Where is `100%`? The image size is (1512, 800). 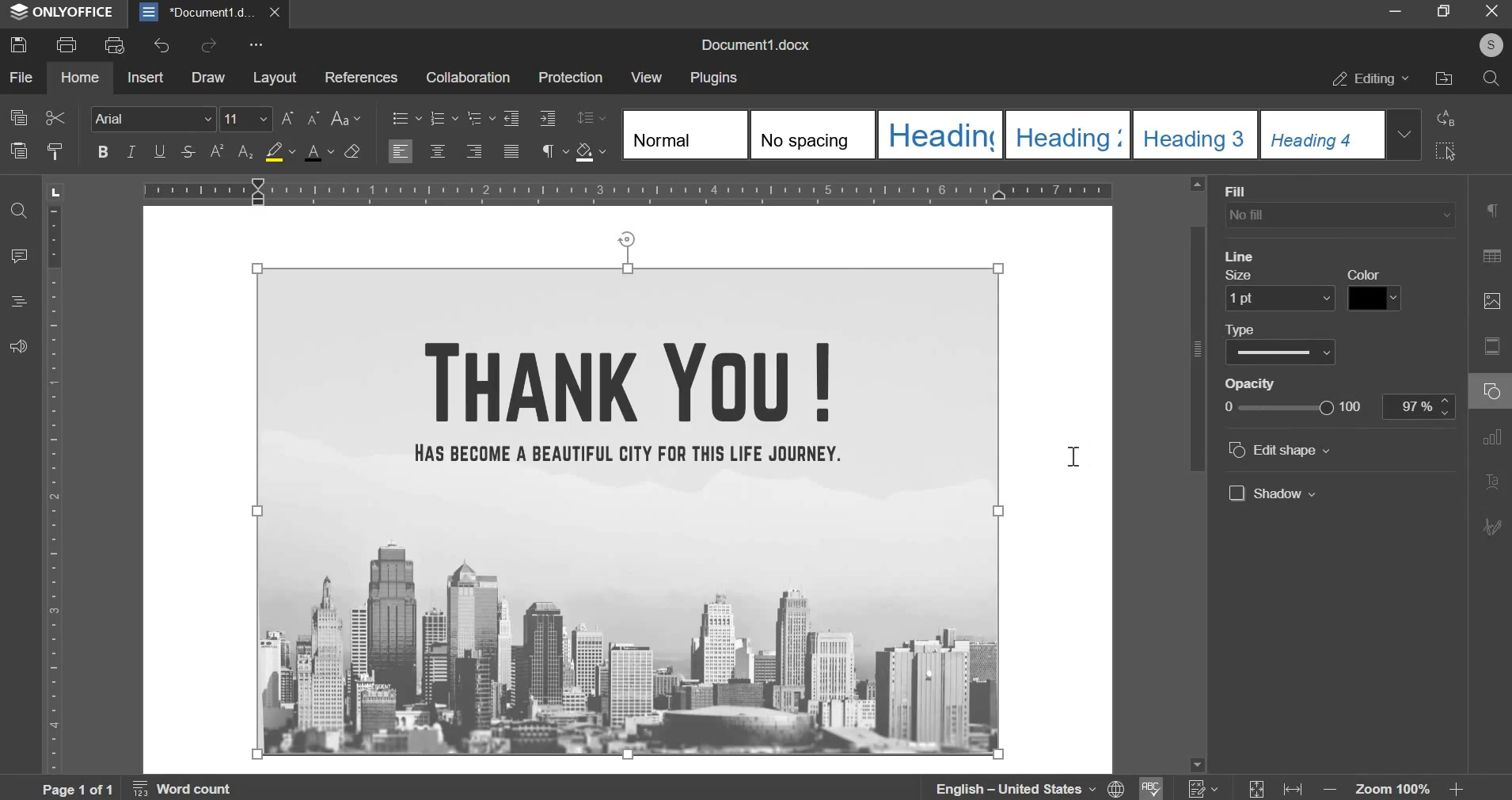 100% is located at coordinates (1415, 405).